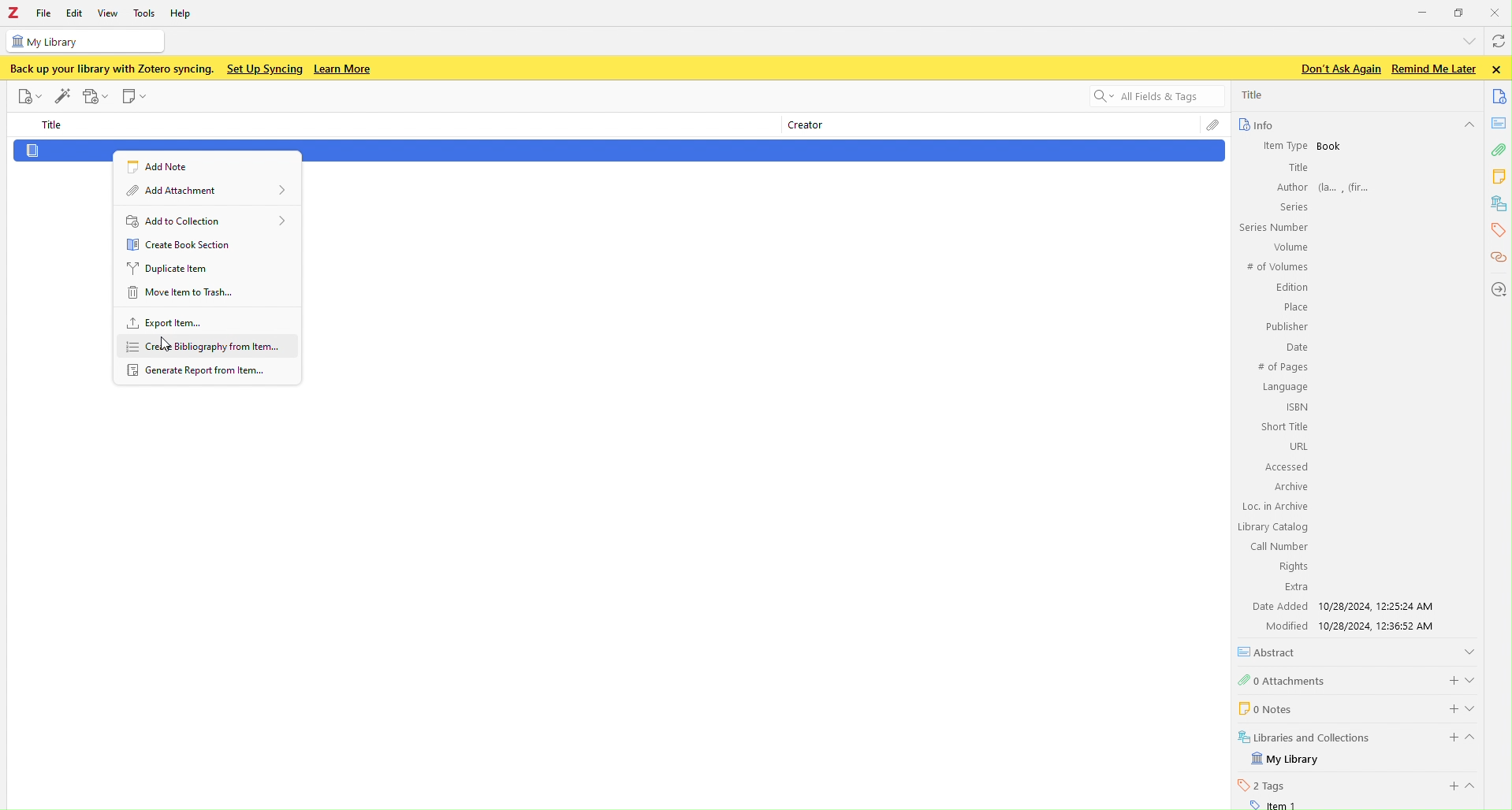 The height and width of the screenshot is (810, 1512). What do you see at coordinates (1500, 123) in the screenshot?
I see `notes` at bounding box center [1500, 123].